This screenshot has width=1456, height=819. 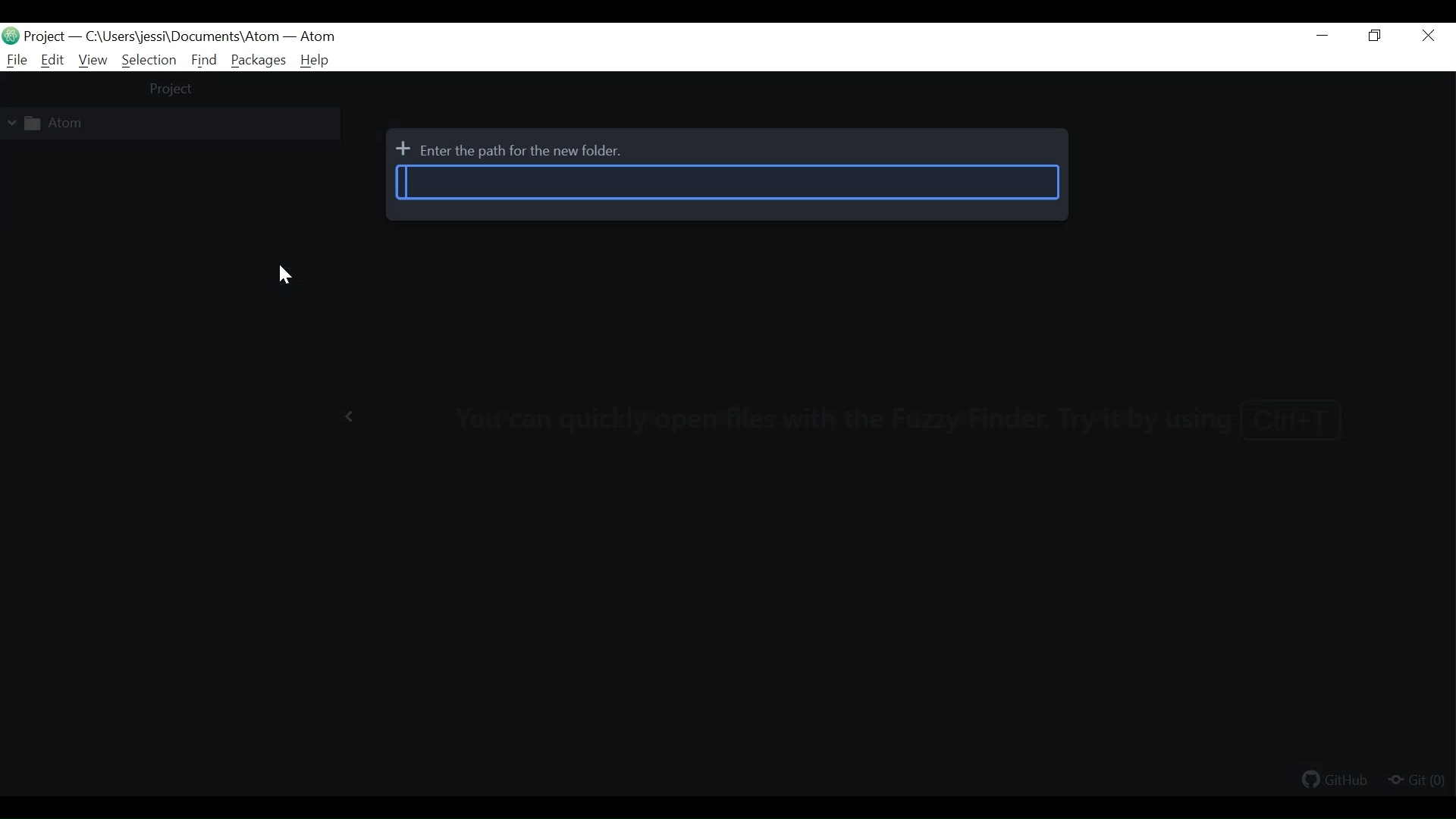 I want to click on Selection, so click(x=149, y=60).